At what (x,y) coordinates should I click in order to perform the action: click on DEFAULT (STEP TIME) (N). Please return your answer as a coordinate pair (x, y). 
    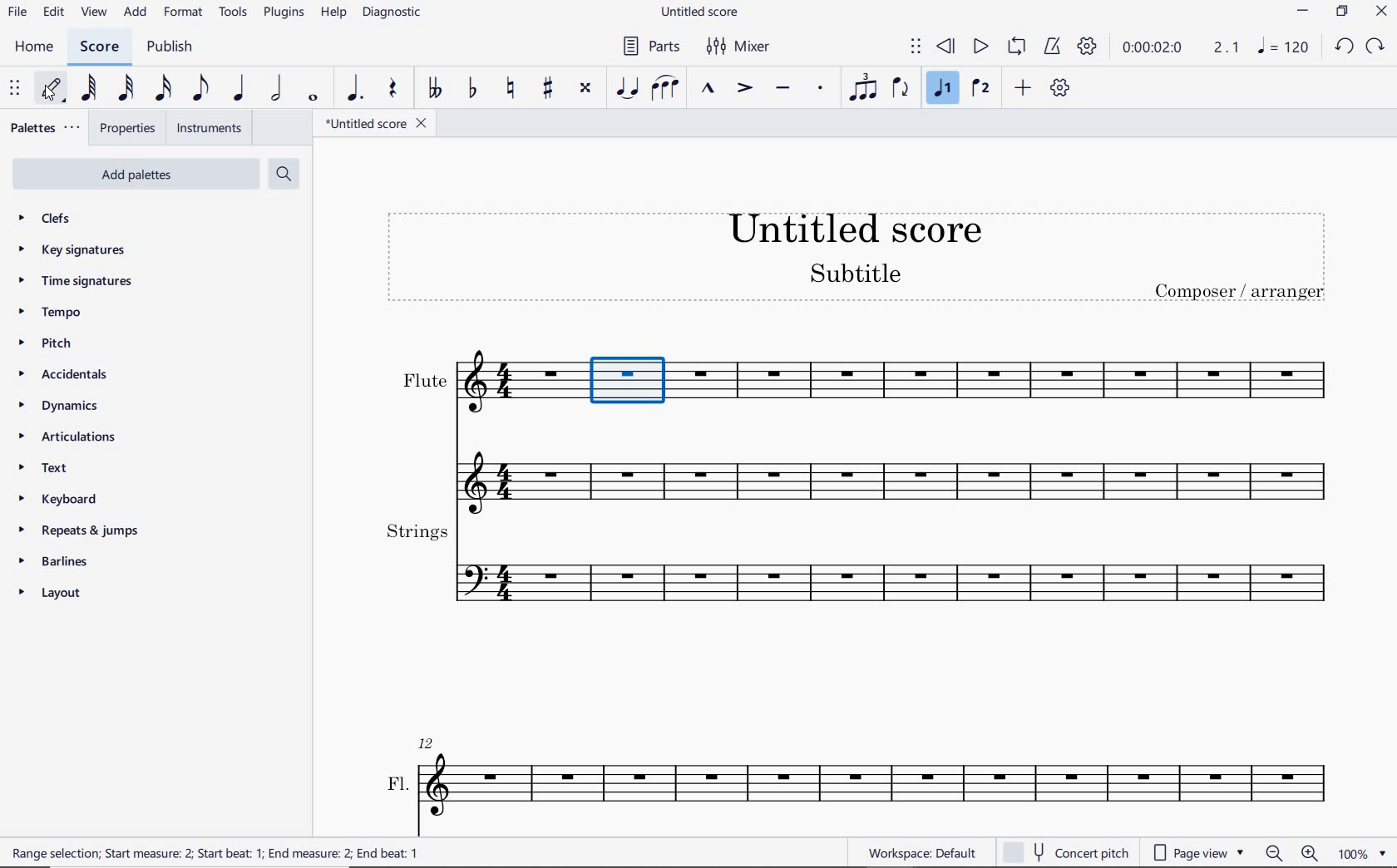
    Looking at the image, I should click on (51, 89).